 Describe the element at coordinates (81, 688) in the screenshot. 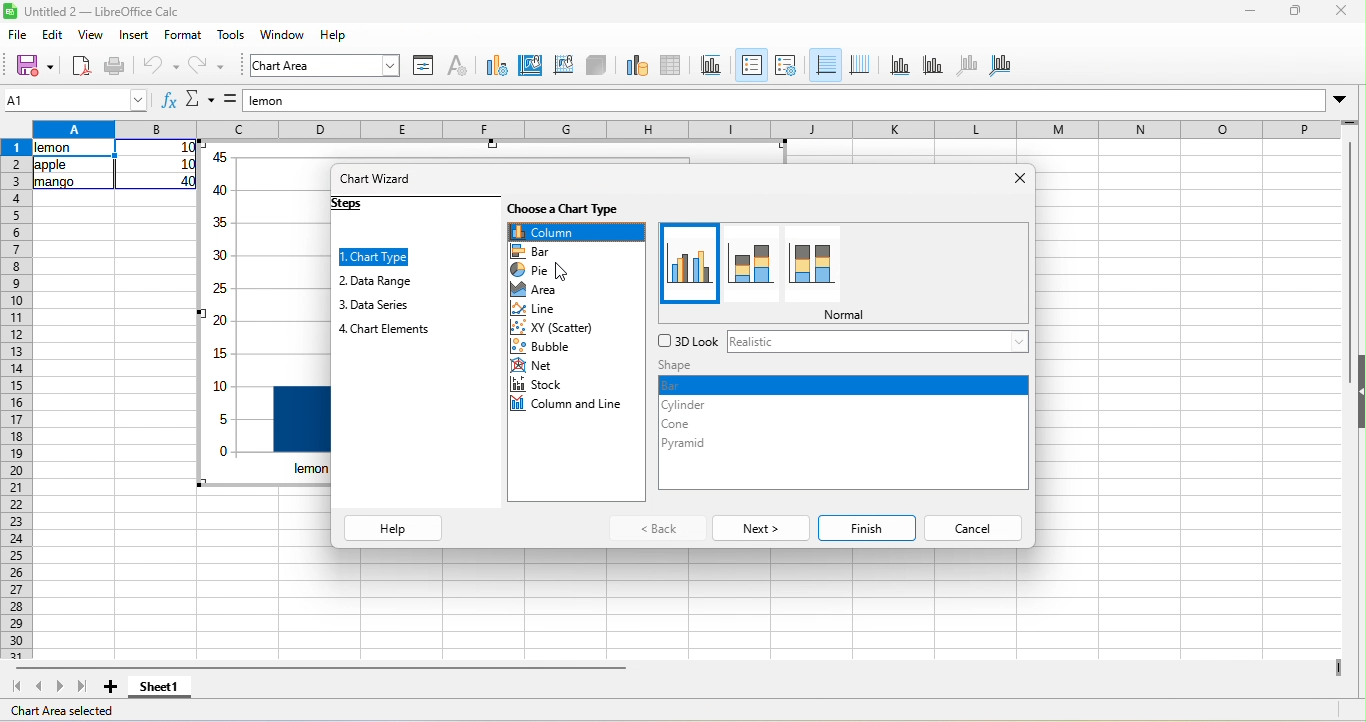

I see `scroll to last sheet` at that location.